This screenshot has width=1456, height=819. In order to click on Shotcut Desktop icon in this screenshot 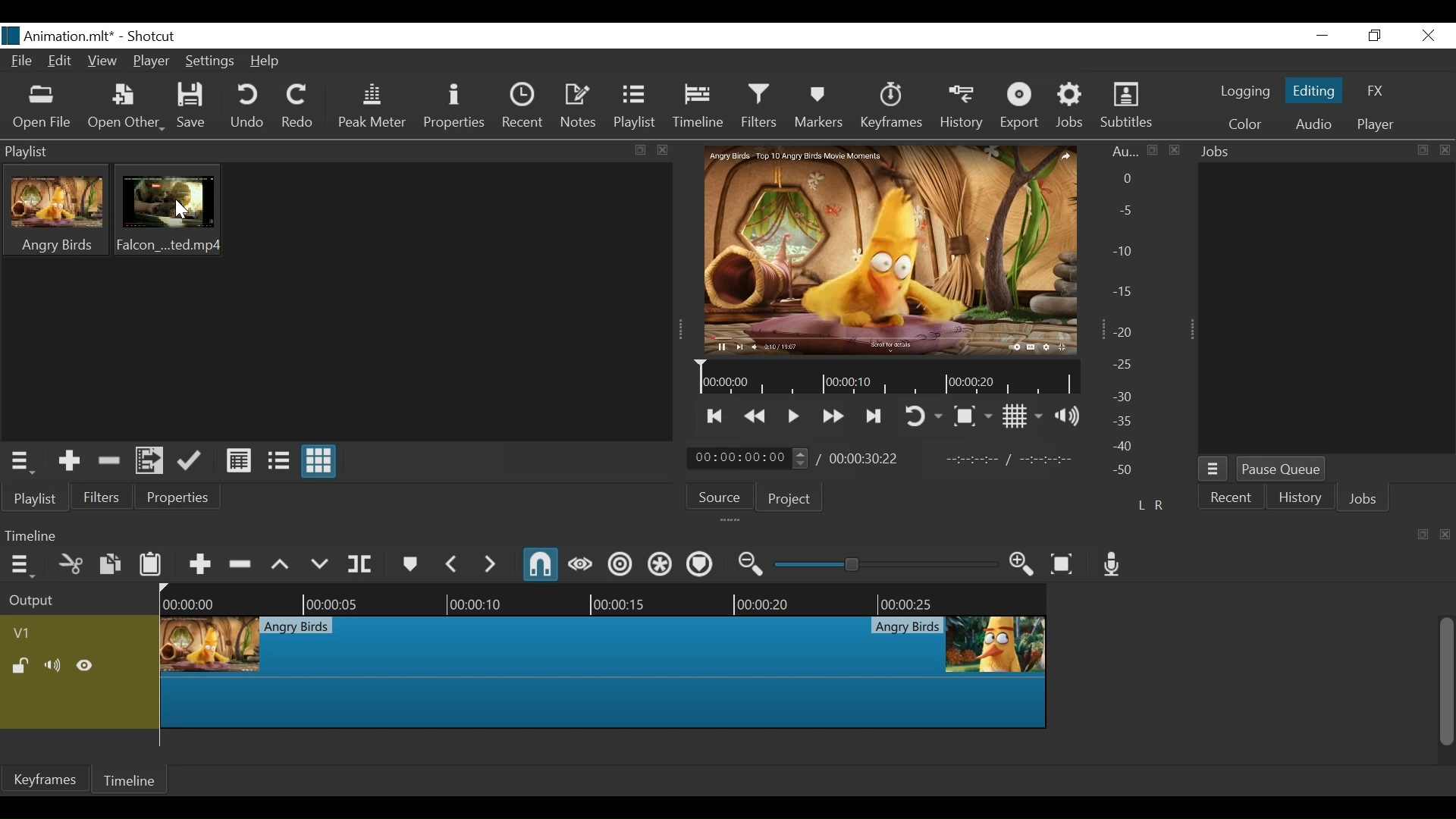, I will do `click(11, 36)`.